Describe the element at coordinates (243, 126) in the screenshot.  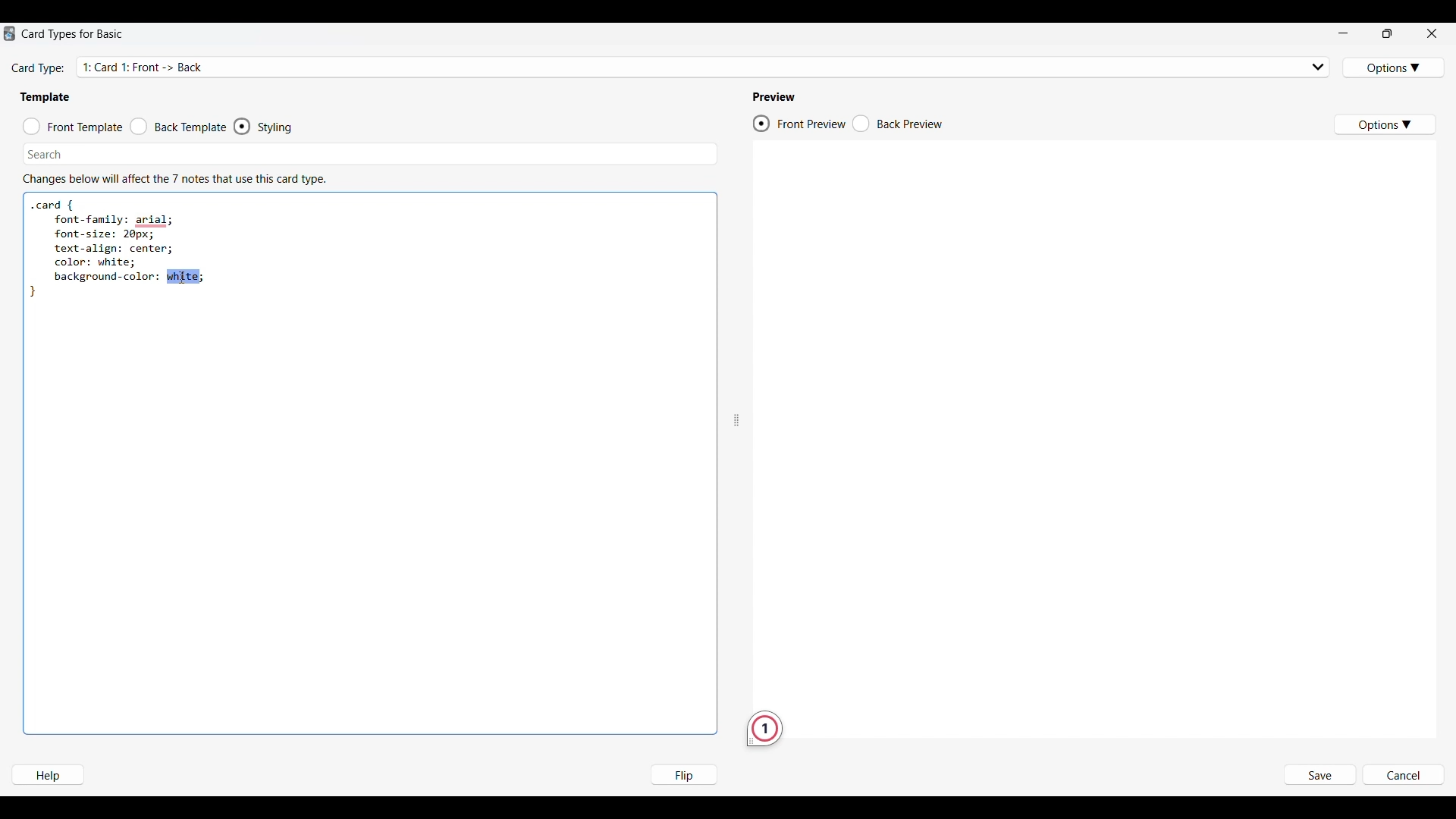
I see `Styling selected` at that location.